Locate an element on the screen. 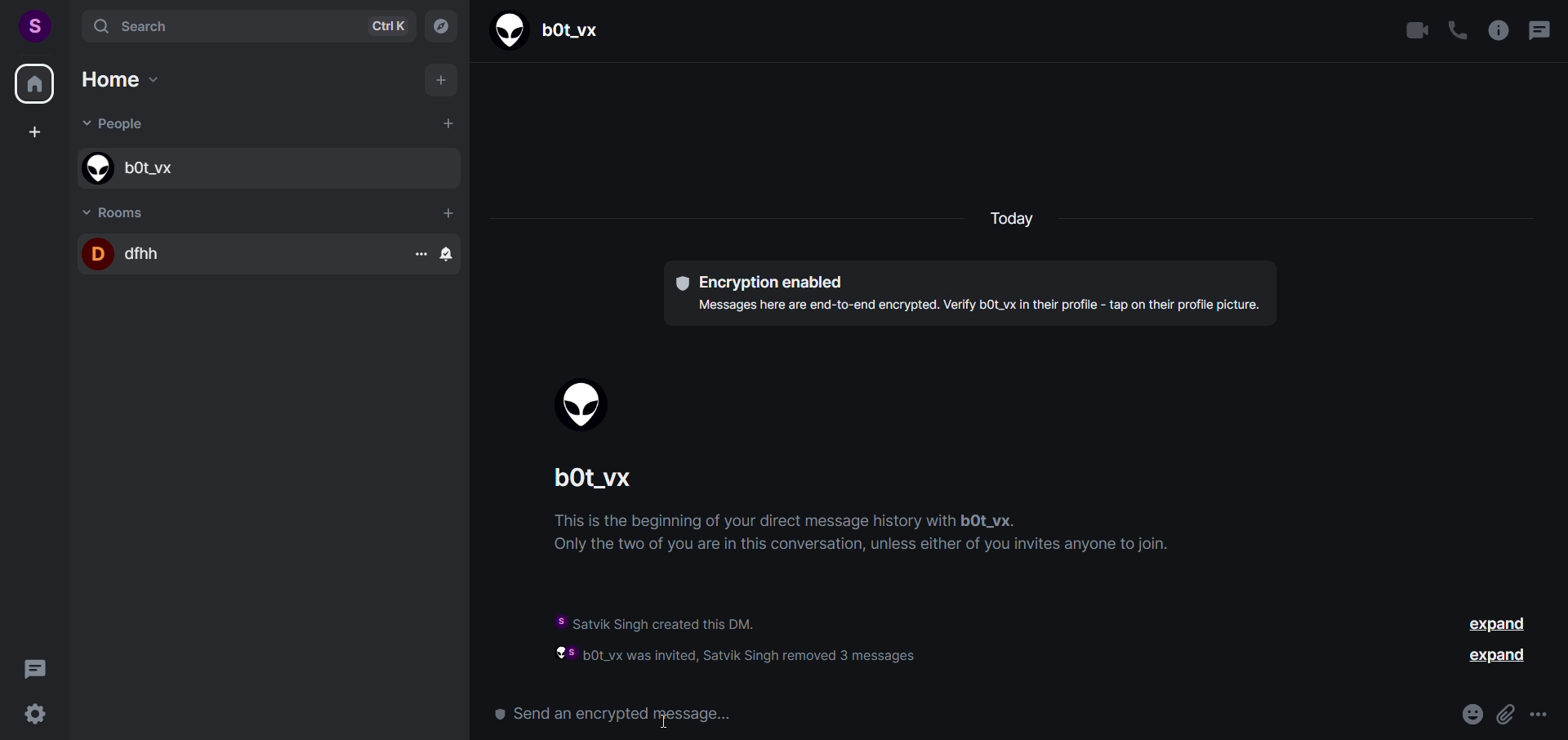 The width and height of the screenshot is (1568, 740). attachment is located at coordinates (1503, 711).